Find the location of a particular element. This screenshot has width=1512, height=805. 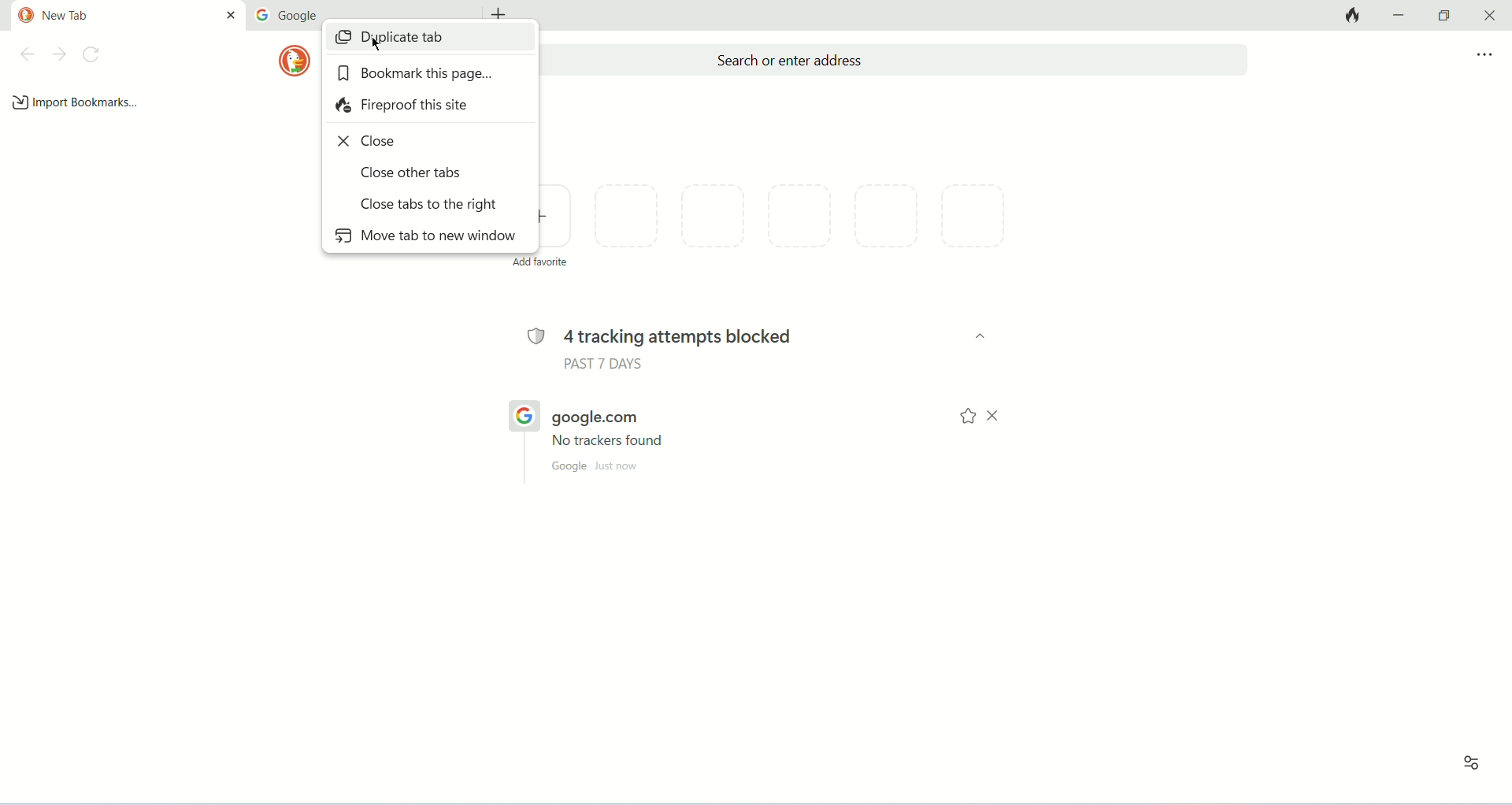

import bookmarks is located at coordinates (79, 102).